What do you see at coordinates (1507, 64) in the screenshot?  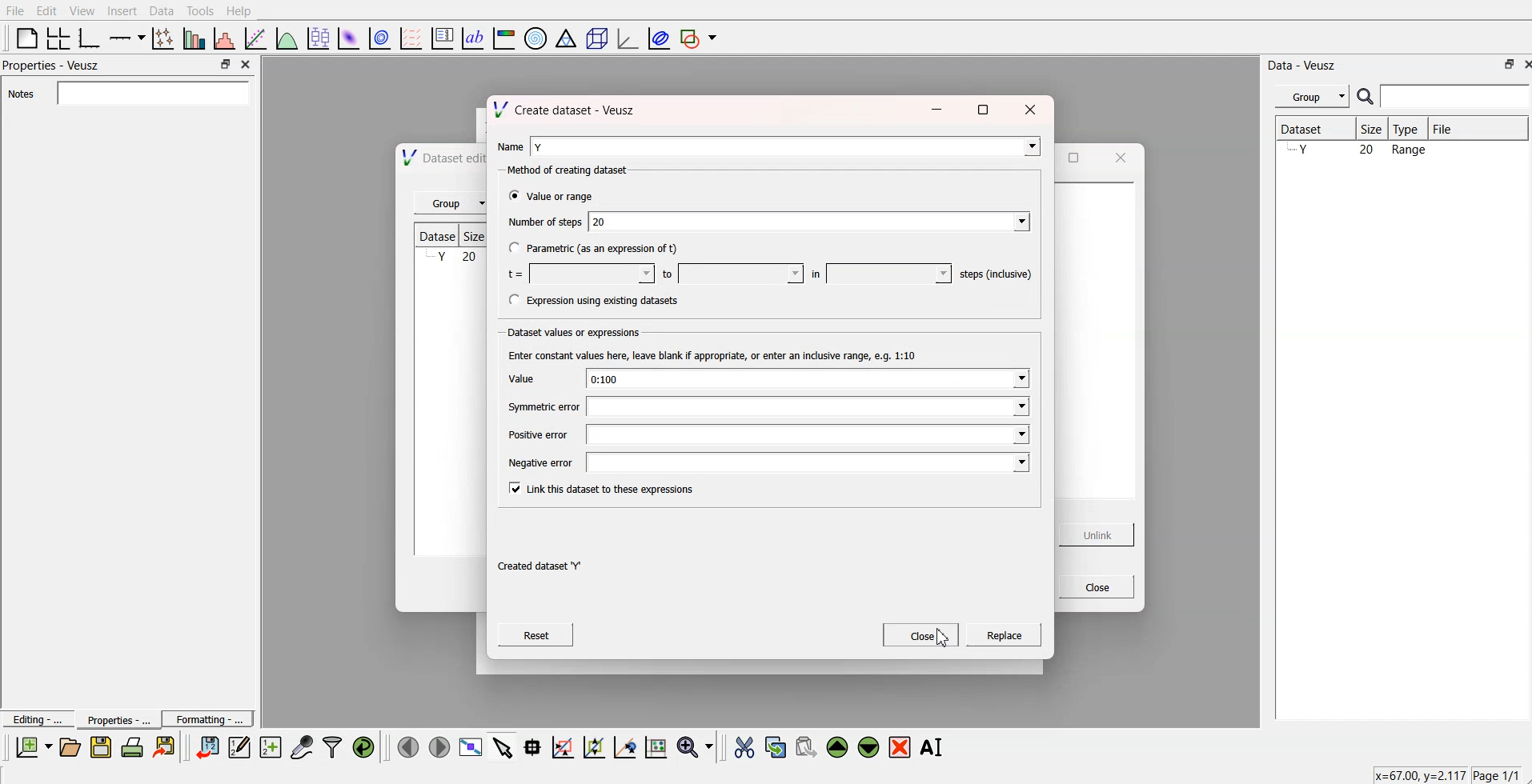 I see `Min/Max` at bounding box center [1507, 64].